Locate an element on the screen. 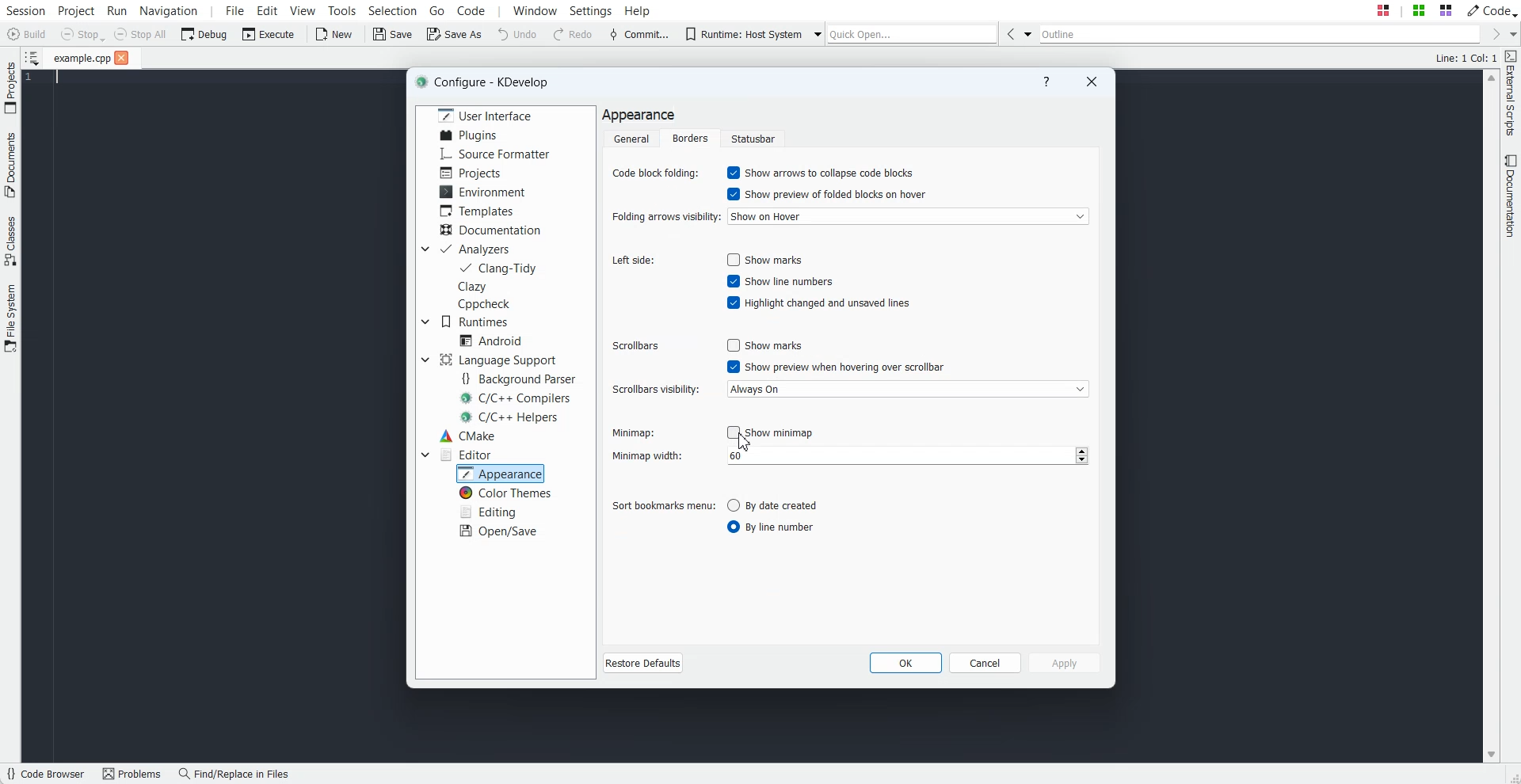 Image resolution: width=1521 pixels, height=784 pixels. Documentation is located at coordinates (490, 229).